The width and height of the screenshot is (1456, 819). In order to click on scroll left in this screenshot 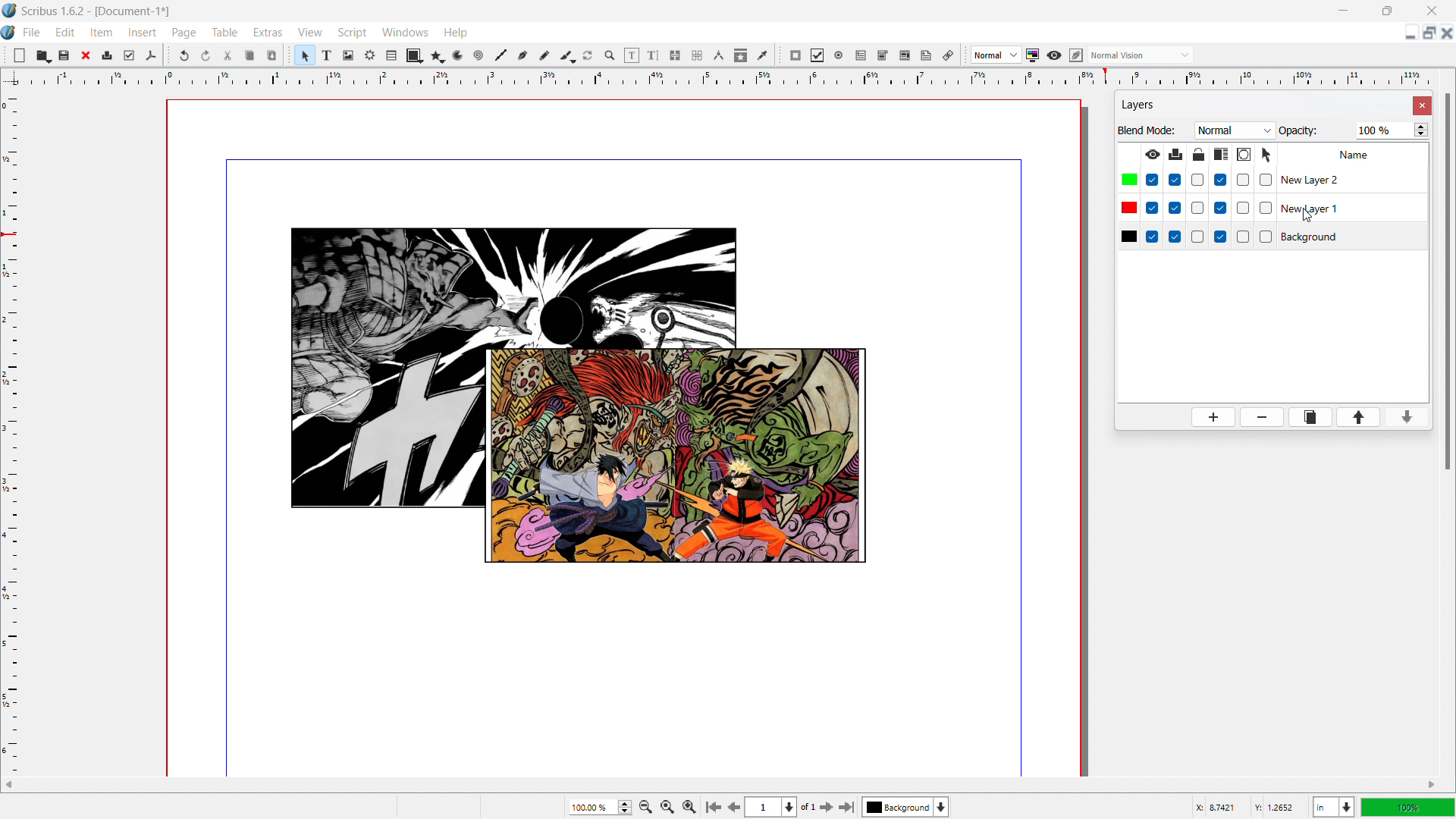, I will do `click(10, 784)`.